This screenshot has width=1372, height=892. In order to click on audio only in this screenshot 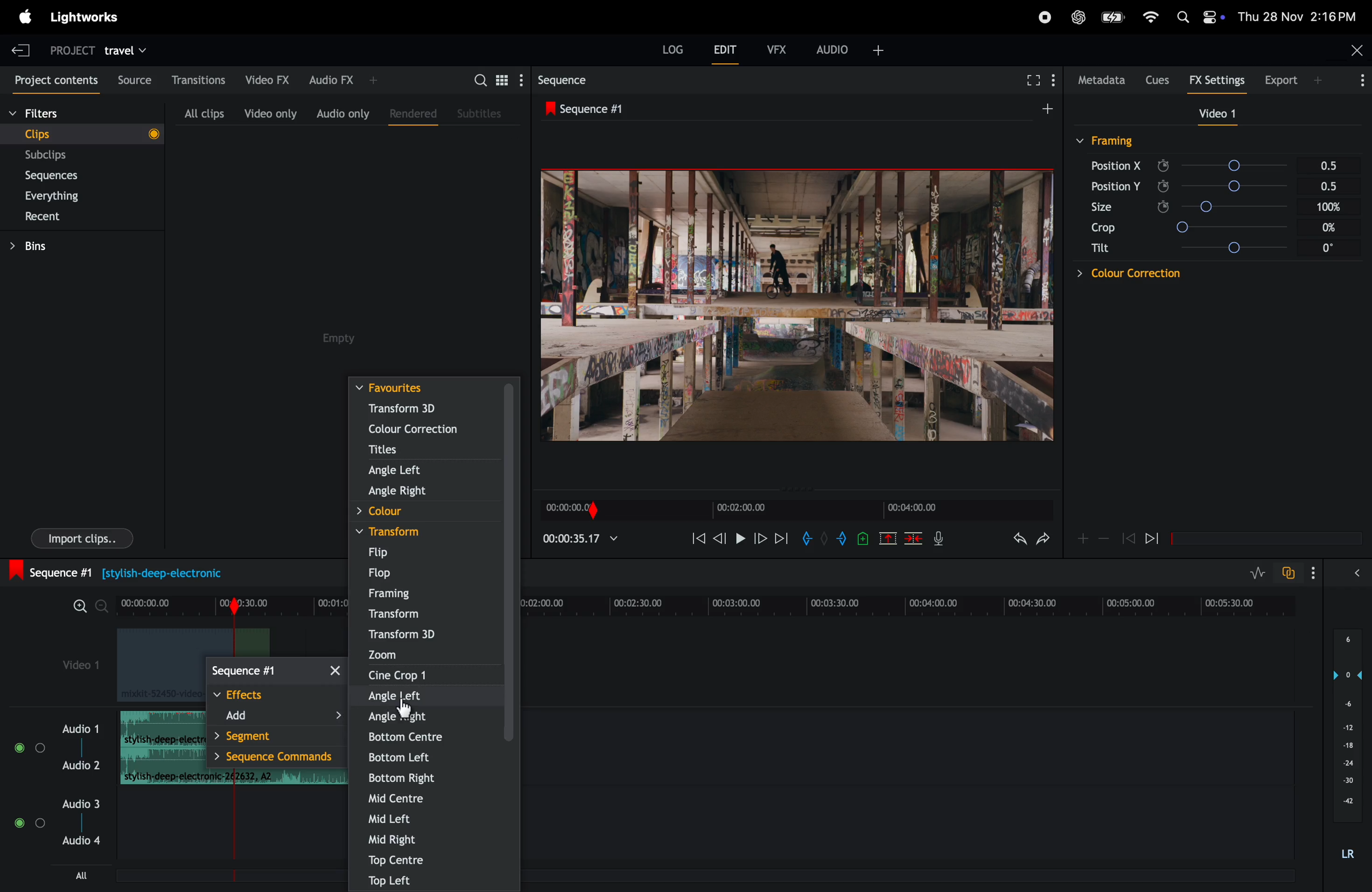, I will do `click(342, 113)`.